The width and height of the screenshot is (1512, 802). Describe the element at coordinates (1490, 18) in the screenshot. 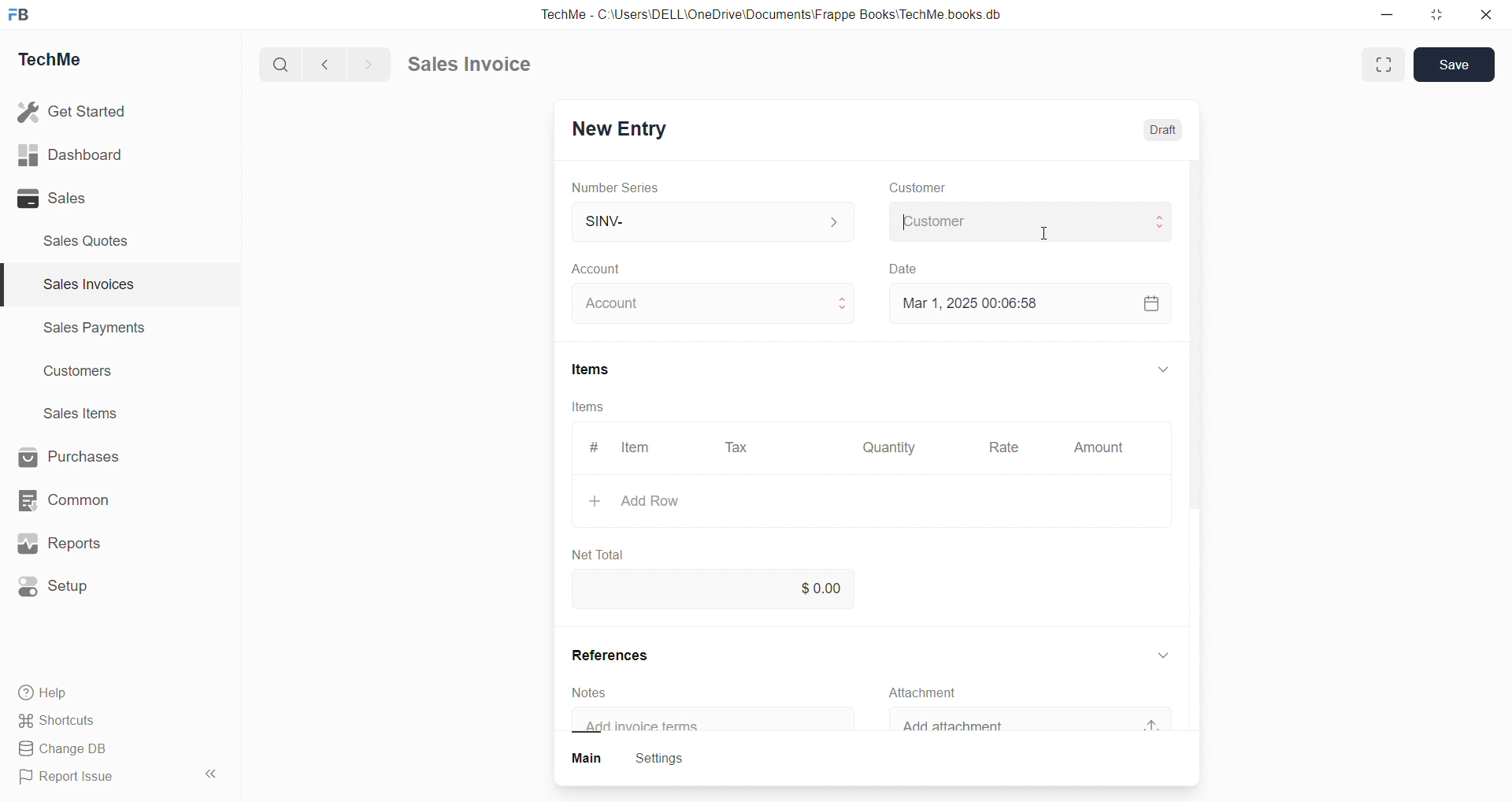

I see `Close` at that location.